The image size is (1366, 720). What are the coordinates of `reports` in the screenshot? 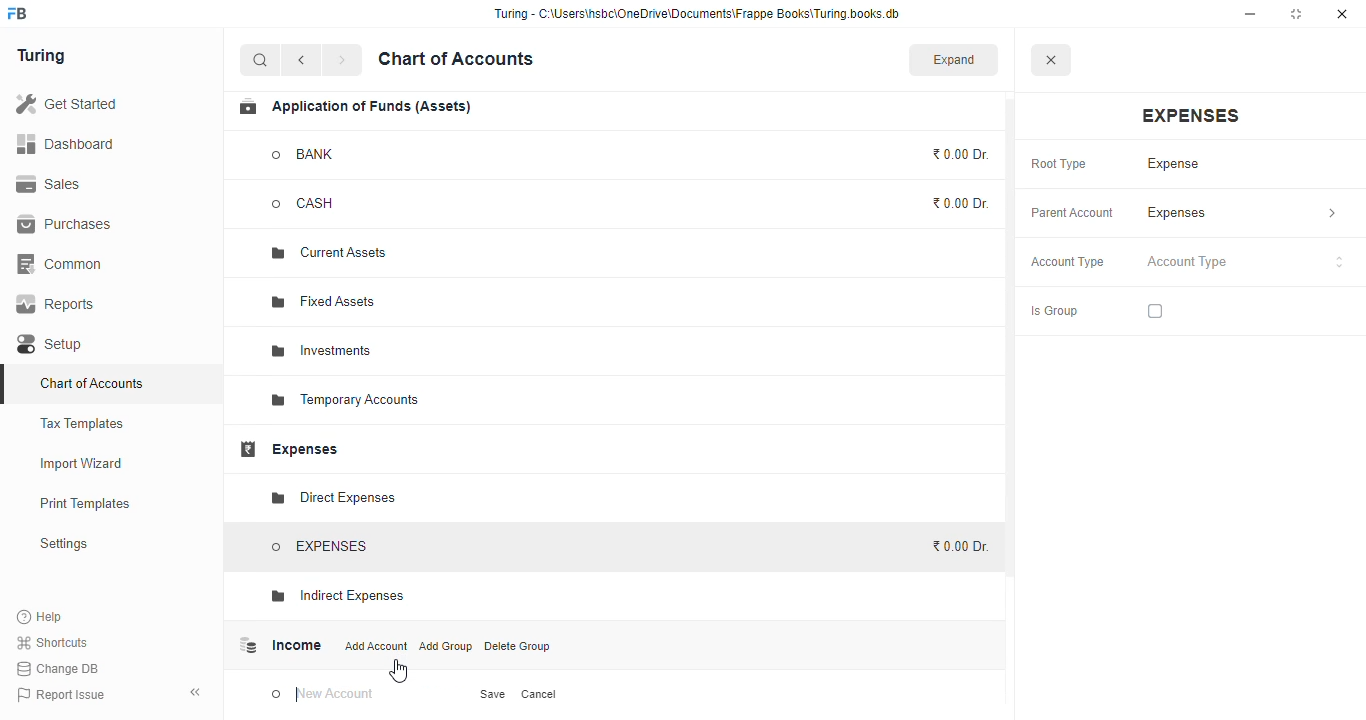 It's located at (56, 304).